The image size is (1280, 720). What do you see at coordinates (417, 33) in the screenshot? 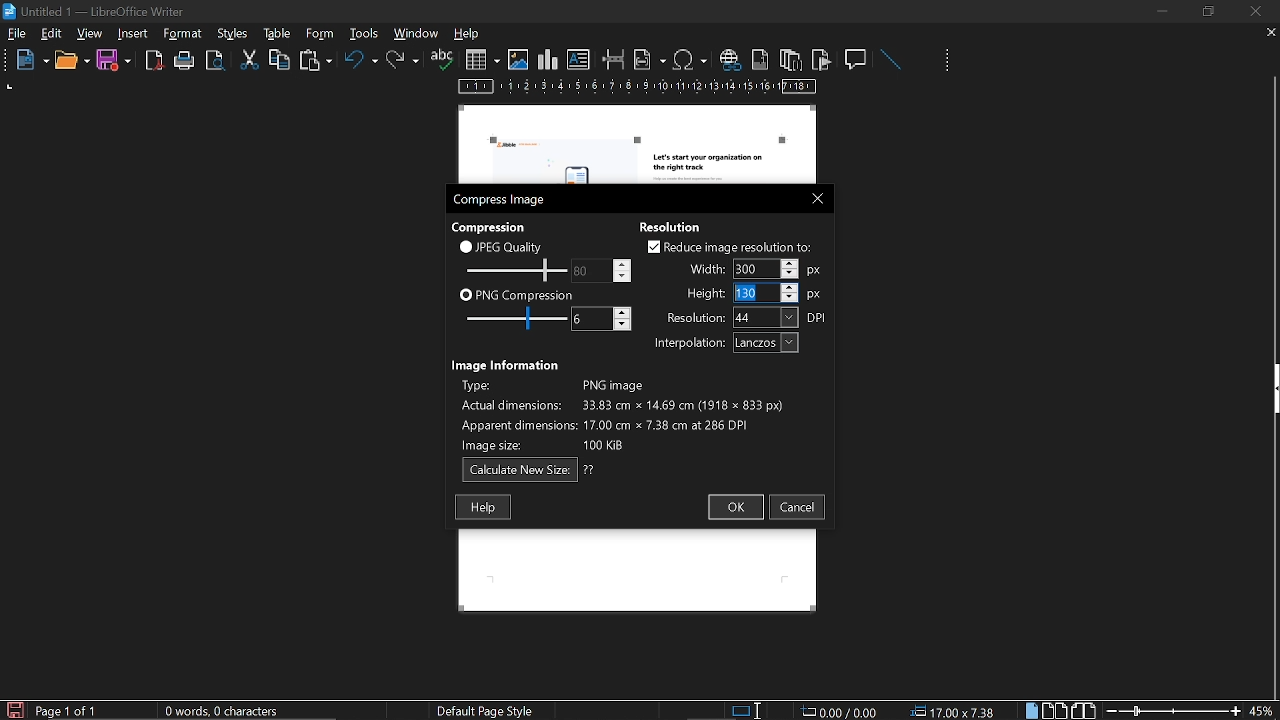
I see `window` at bounding box center [417, 33].